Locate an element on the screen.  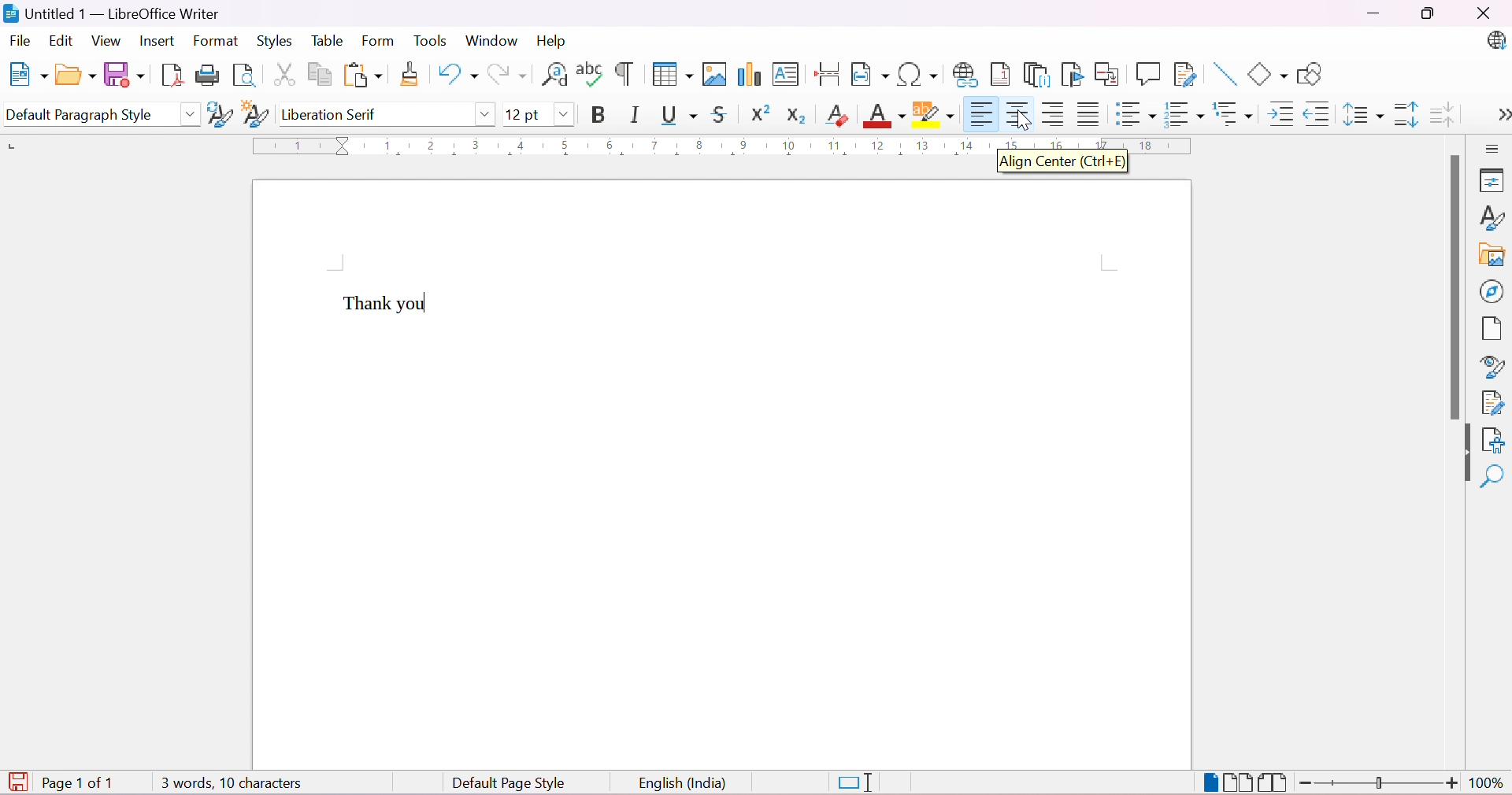
Show Draw Functions is located at coordinates (1310, 74).